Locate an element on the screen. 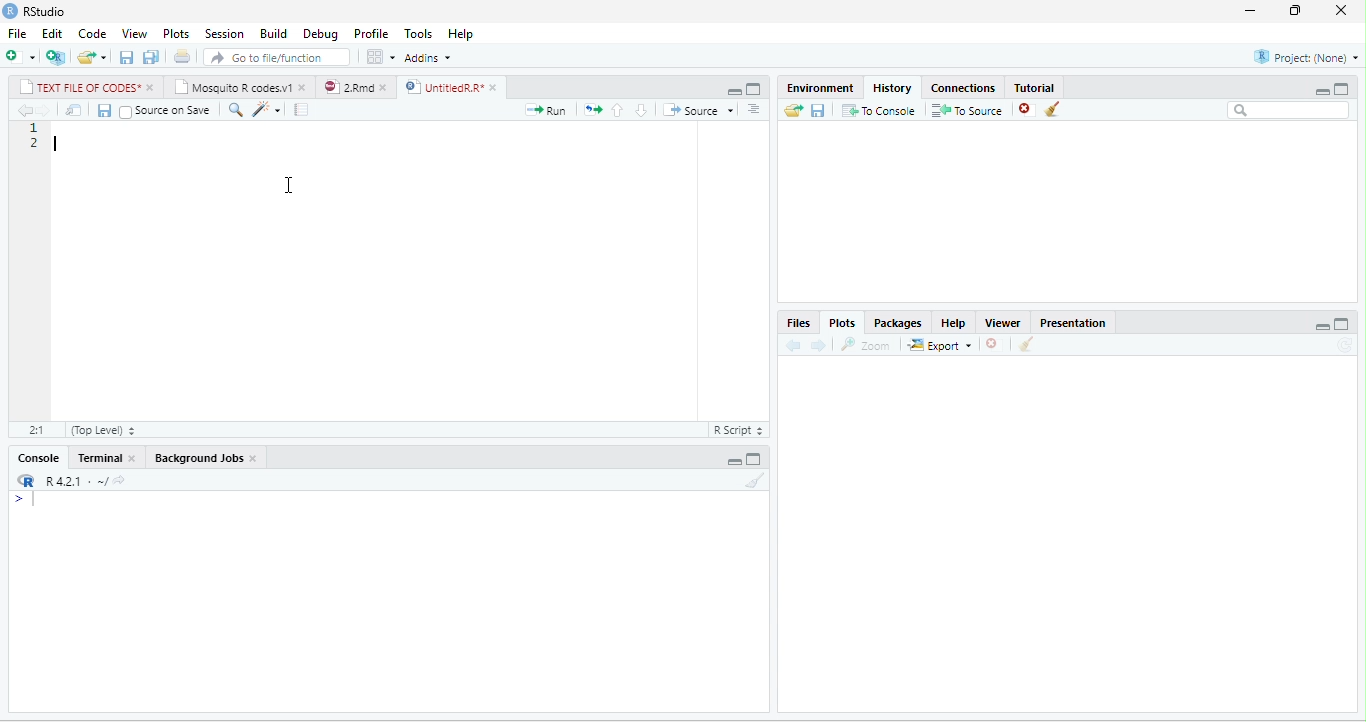 Image resolution: width=1366 pixels, height=722 pixels. options is located at coordinates (380, 56).